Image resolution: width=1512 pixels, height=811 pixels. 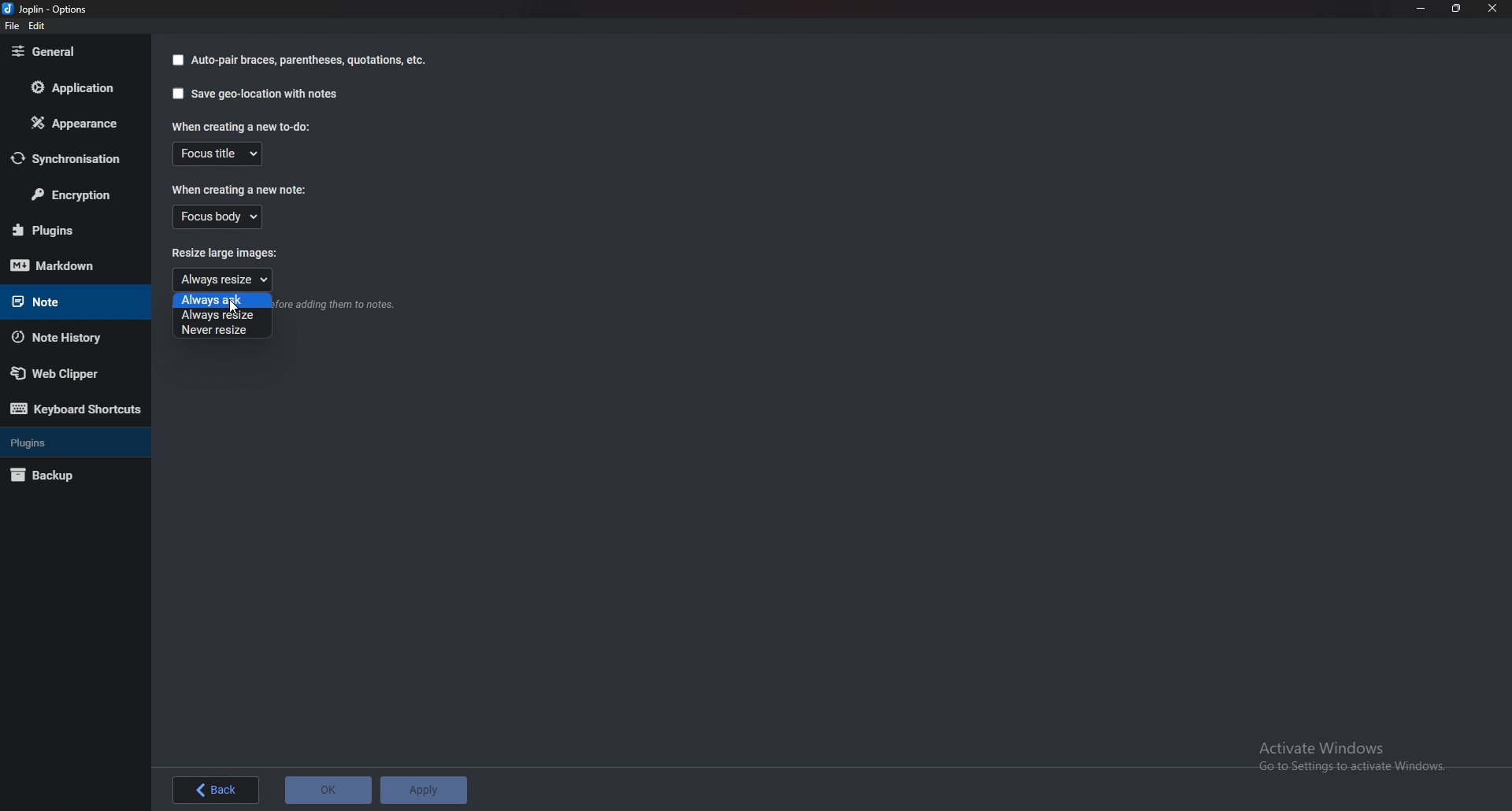 What do you see at coordinates (330, 790) in the screenshot?
I see `O K` at bounding box center [330, 790].